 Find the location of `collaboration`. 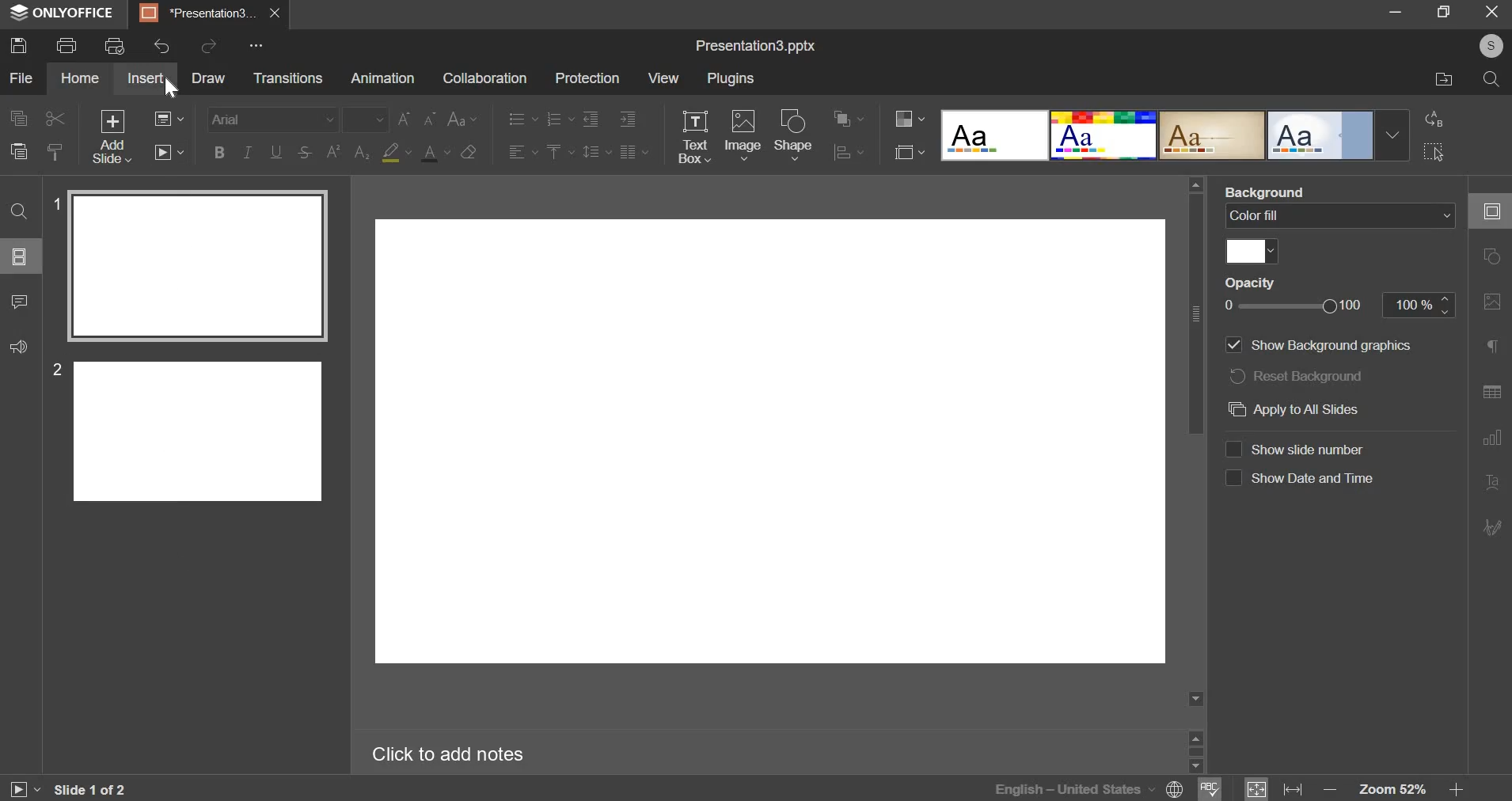

collaboration is located at coordinates (485, 78).